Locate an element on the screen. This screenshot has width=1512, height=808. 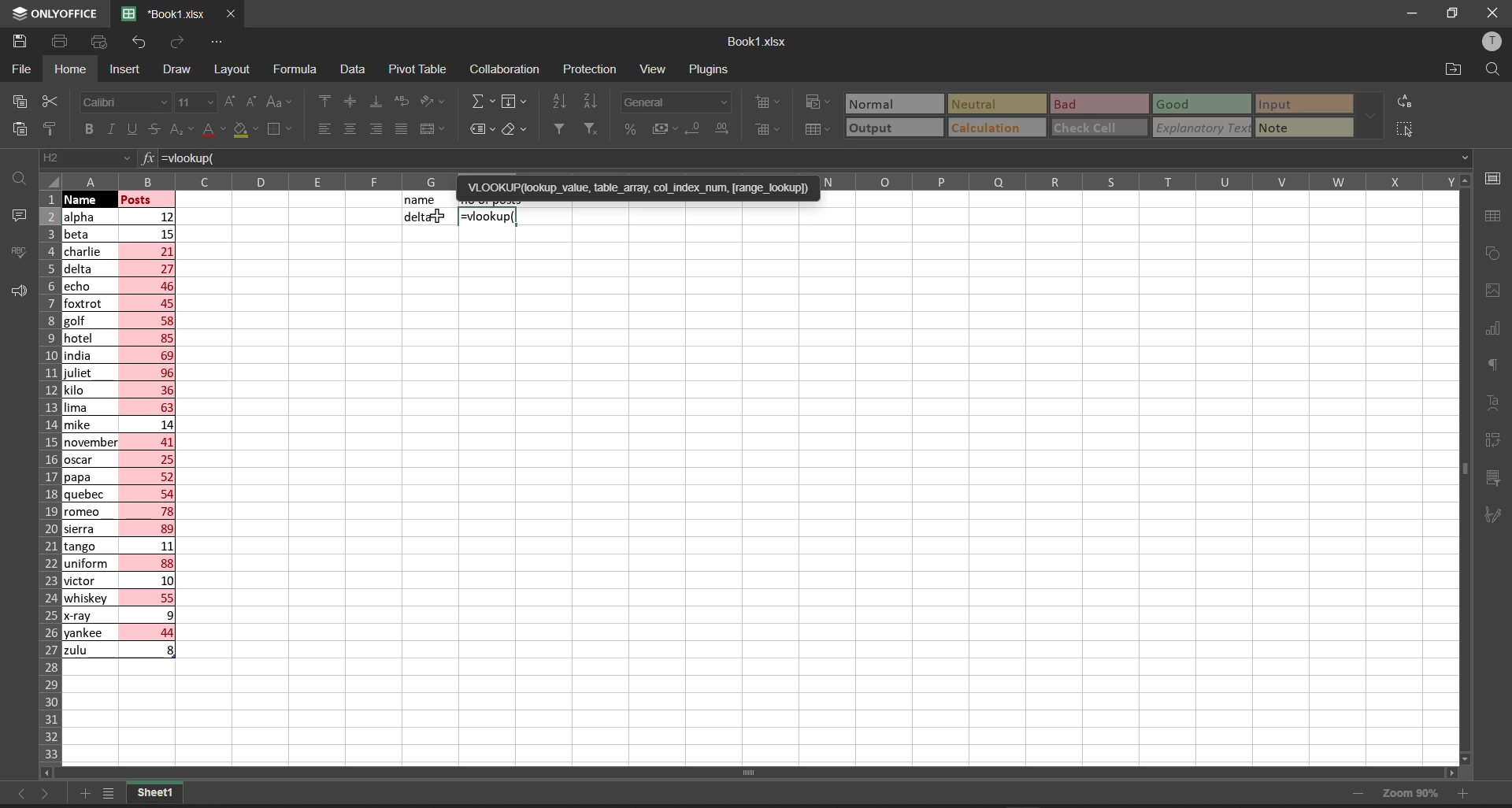
underline is located at coordinates (129, 128).